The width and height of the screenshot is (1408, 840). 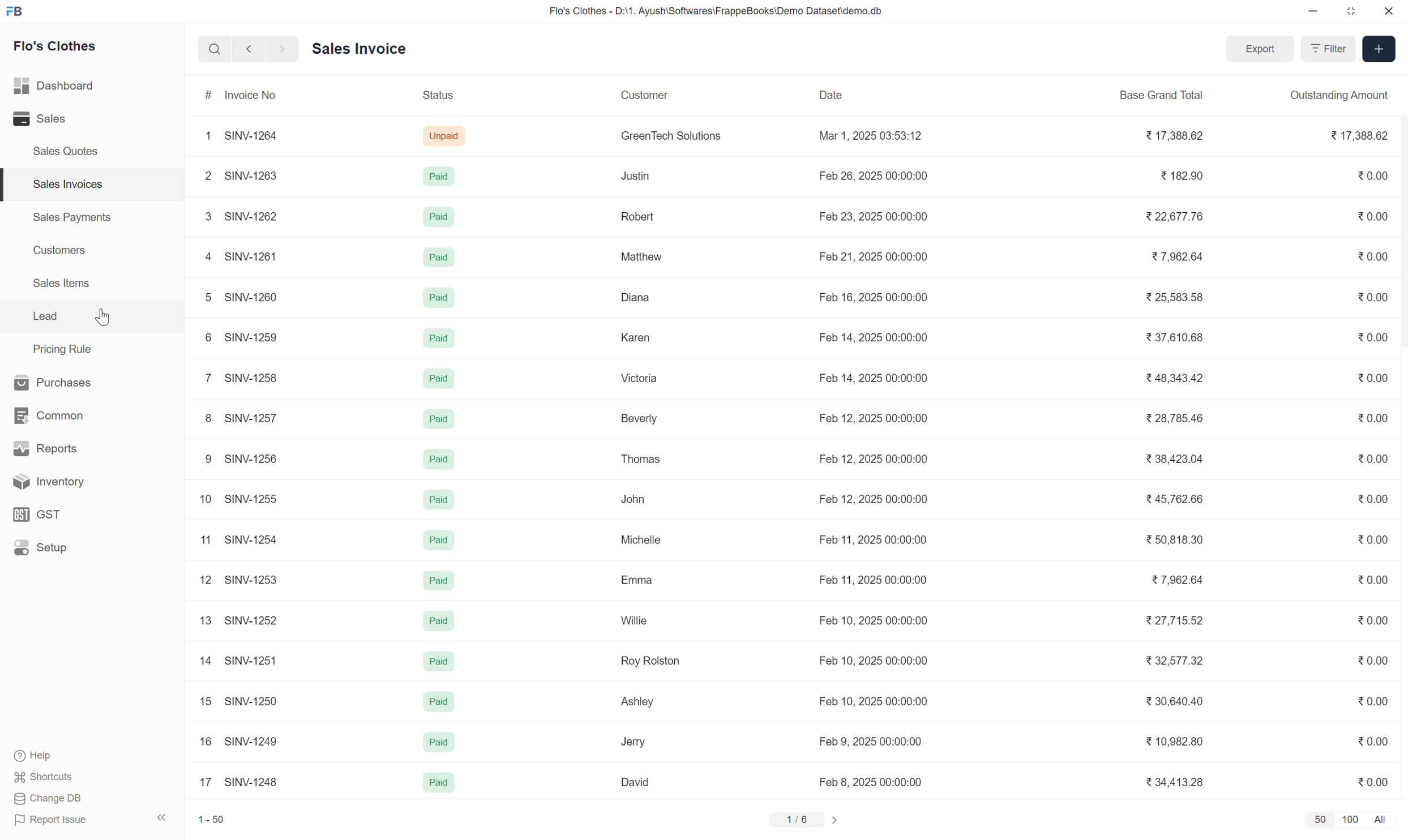 I want to click on minimise, so click(x=1313, y=13).